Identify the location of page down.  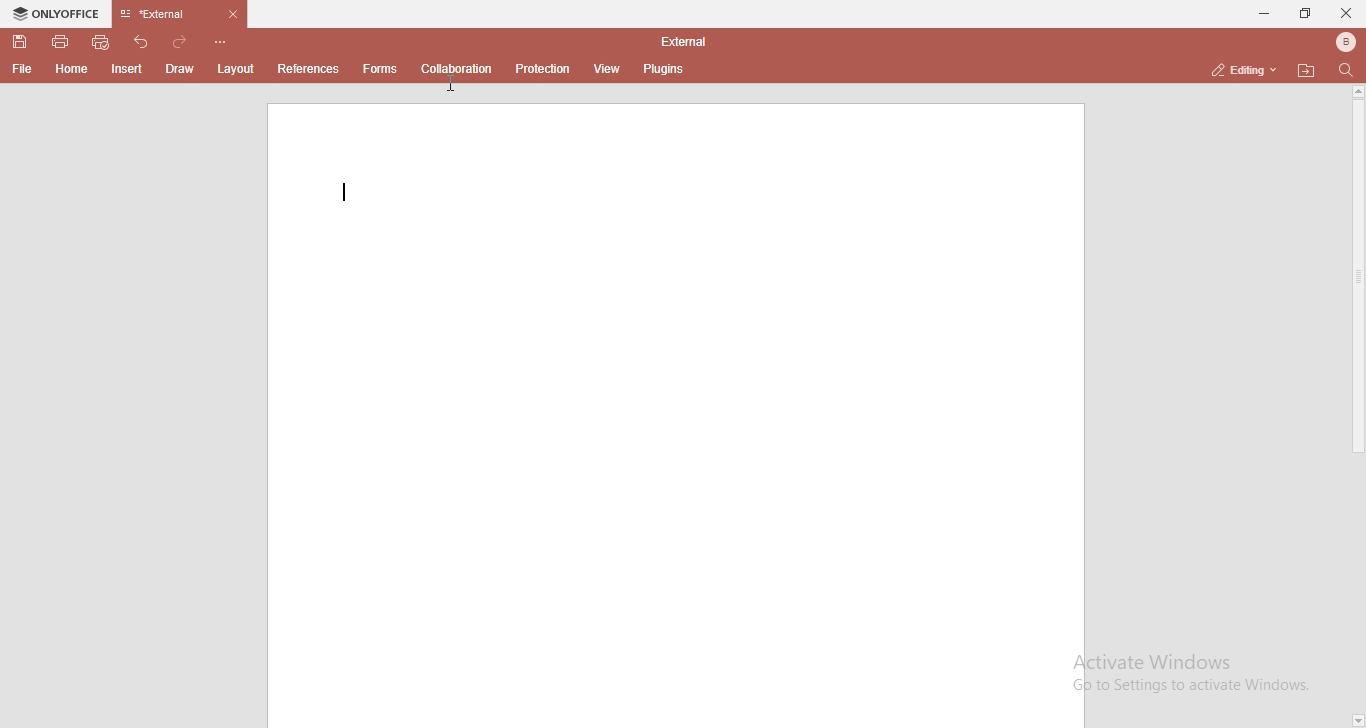
(1357, 721).